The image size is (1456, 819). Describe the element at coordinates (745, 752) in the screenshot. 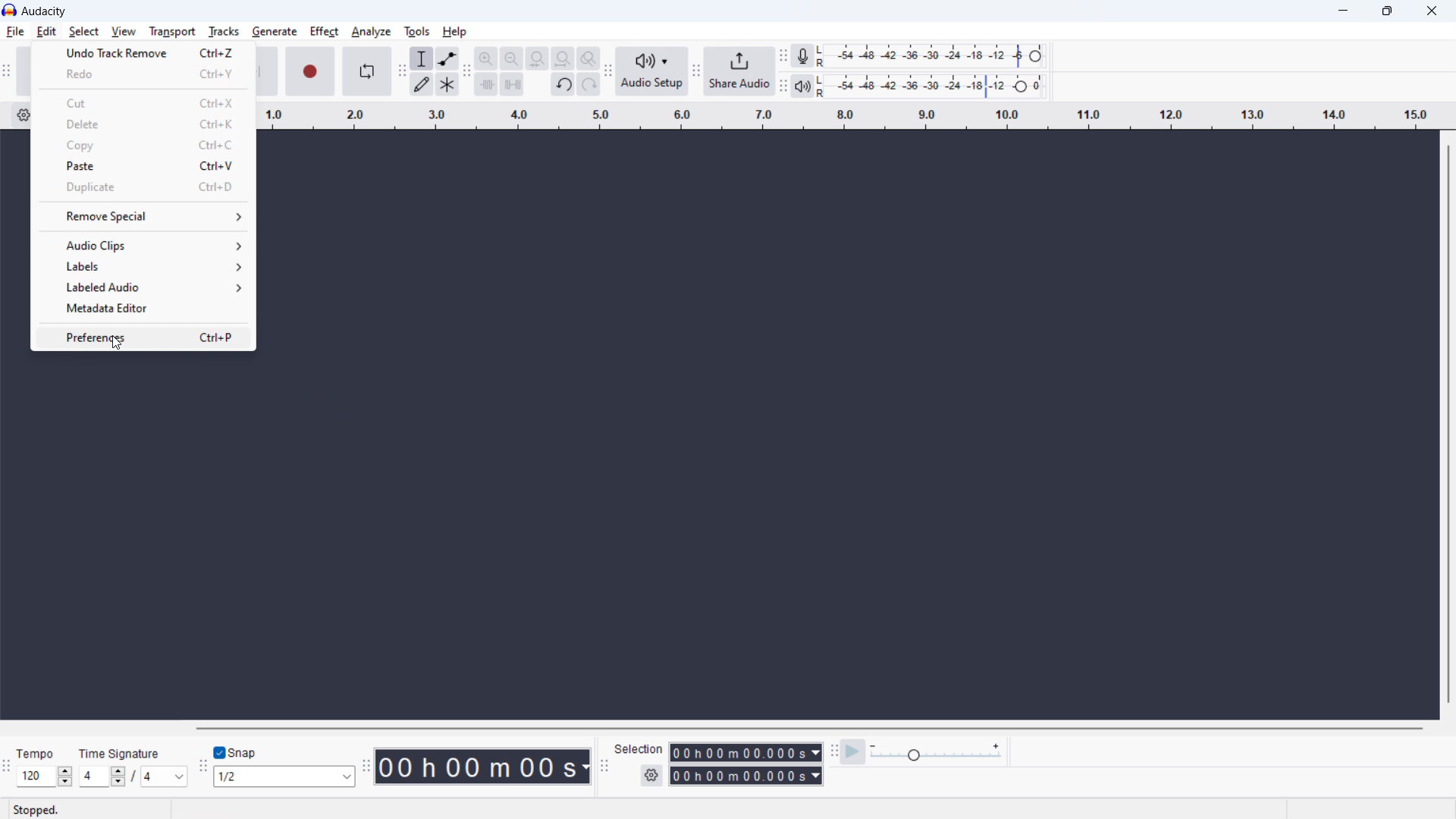

I see `start time` at that location.